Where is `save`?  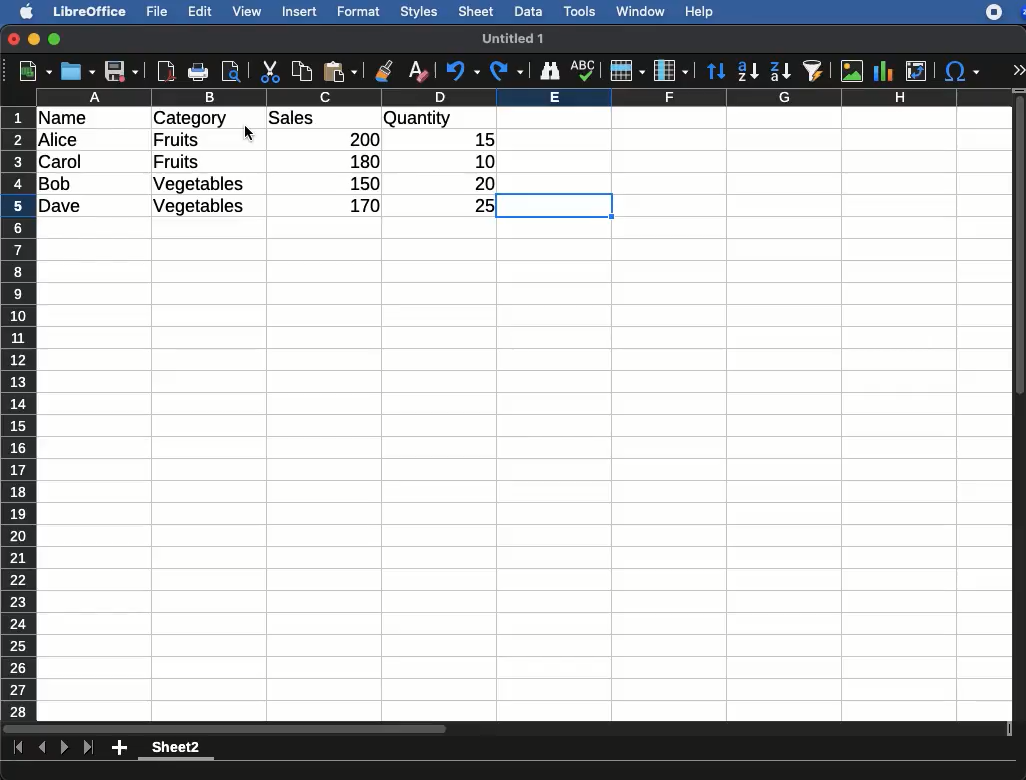 save is located at coordinates (79, 71).